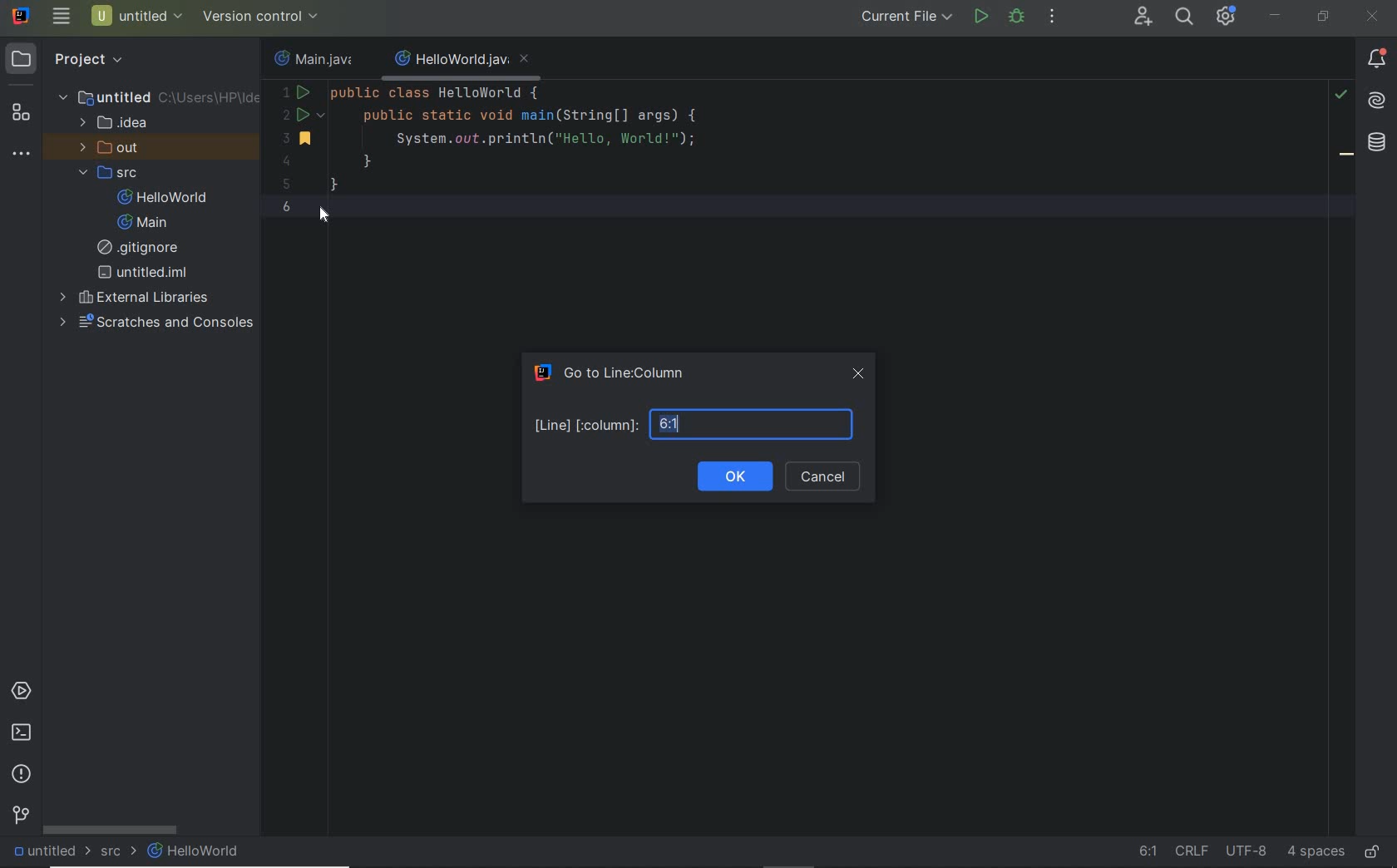 This screenshot has height=868, width=1397. I want to click on line separator, so click(1191, 850).